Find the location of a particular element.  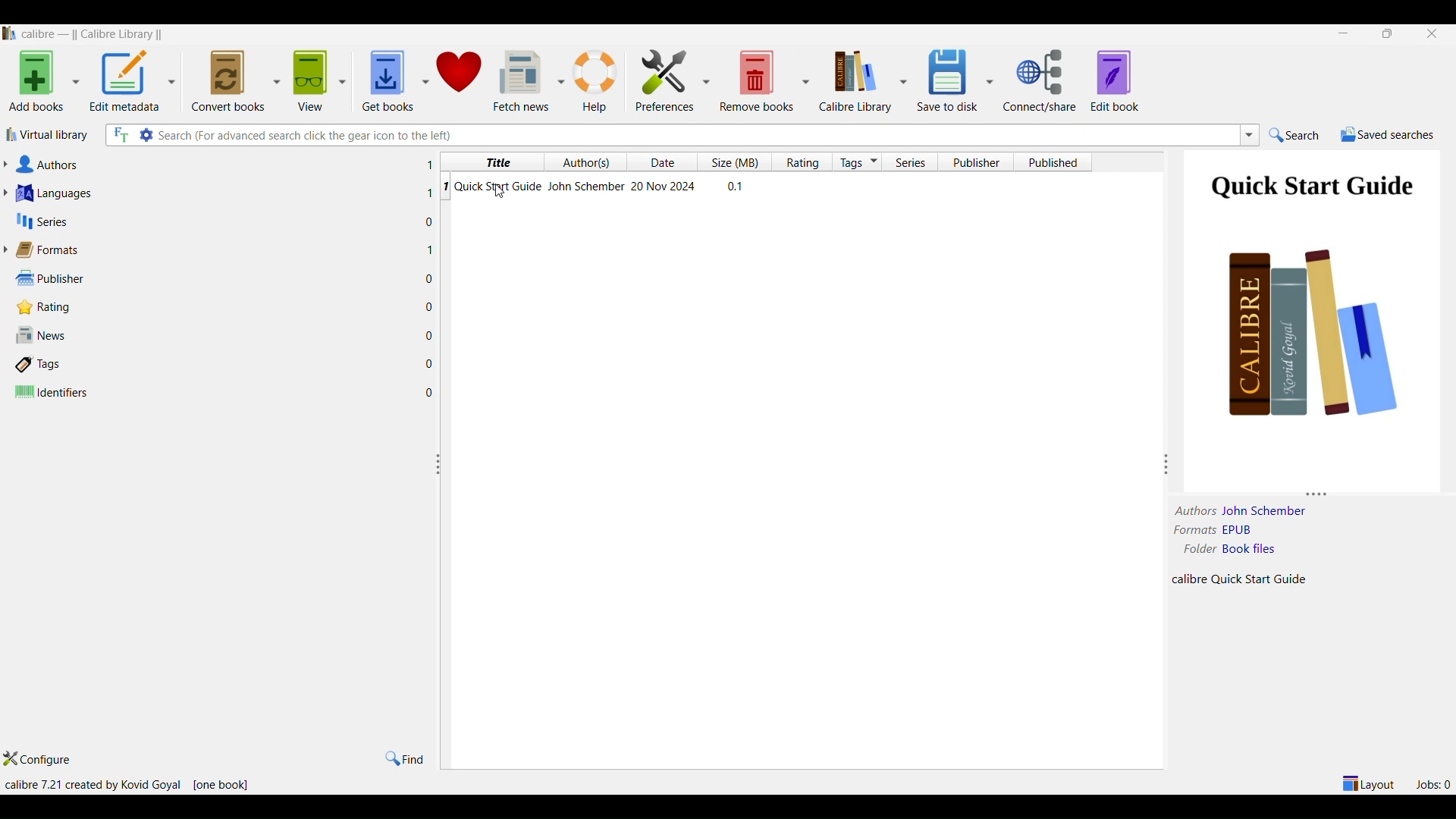

total books is located at coordinates (224, 785).